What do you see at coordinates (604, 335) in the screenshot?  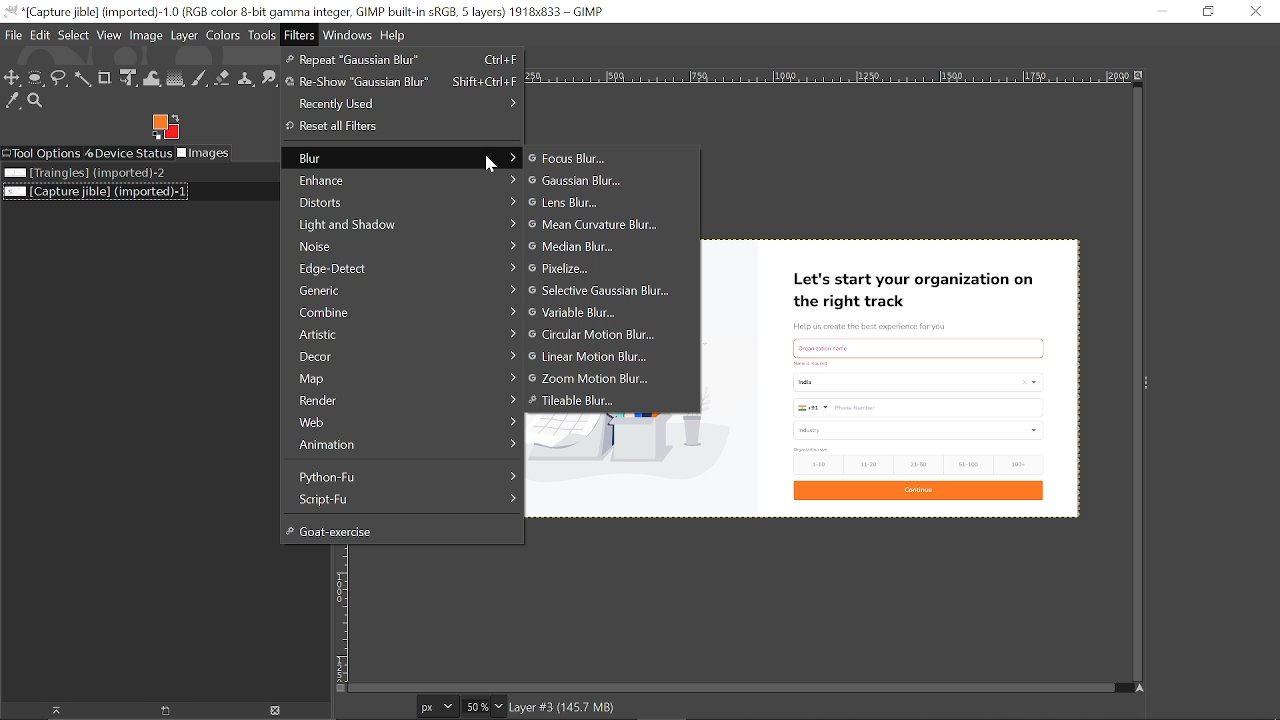 I see `Circular motion blur` at bounding box center [604, 335].